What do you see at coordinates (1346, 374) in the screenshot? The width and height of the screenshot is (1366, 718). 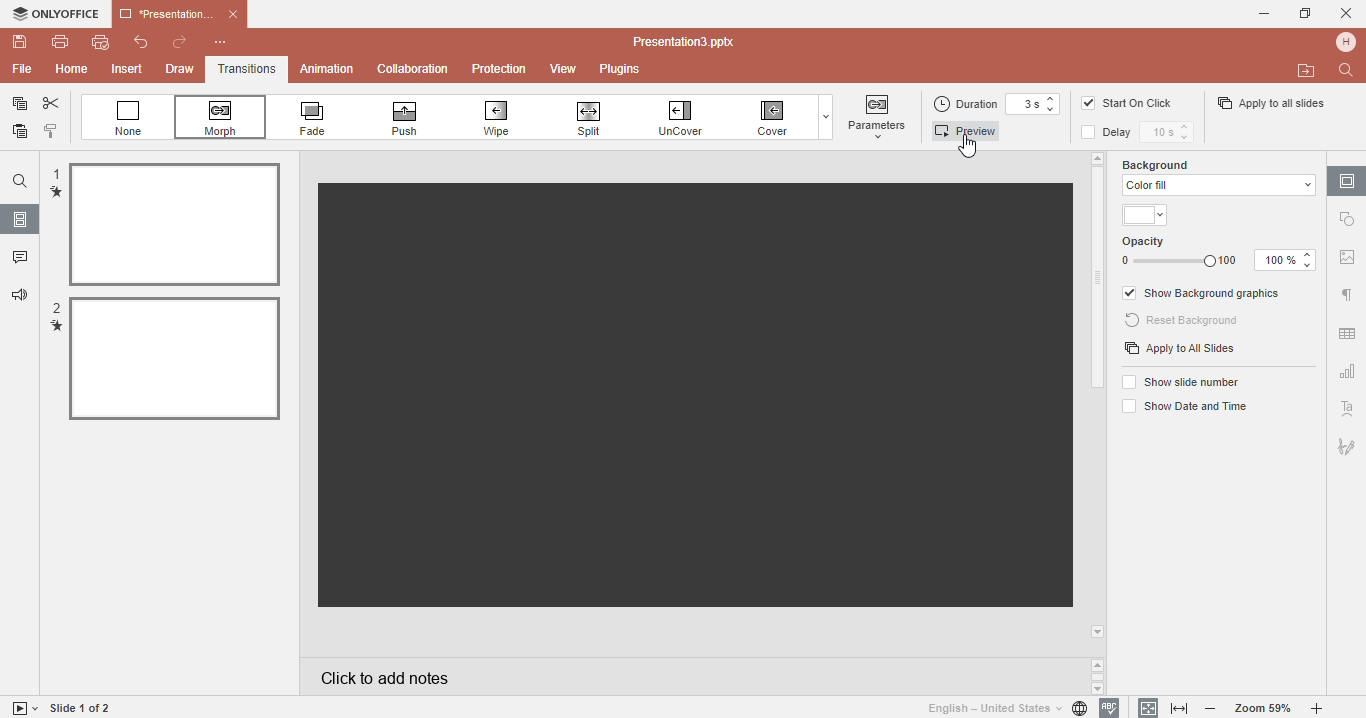 I see `Chart setting` at bounding box center [1346, 374].